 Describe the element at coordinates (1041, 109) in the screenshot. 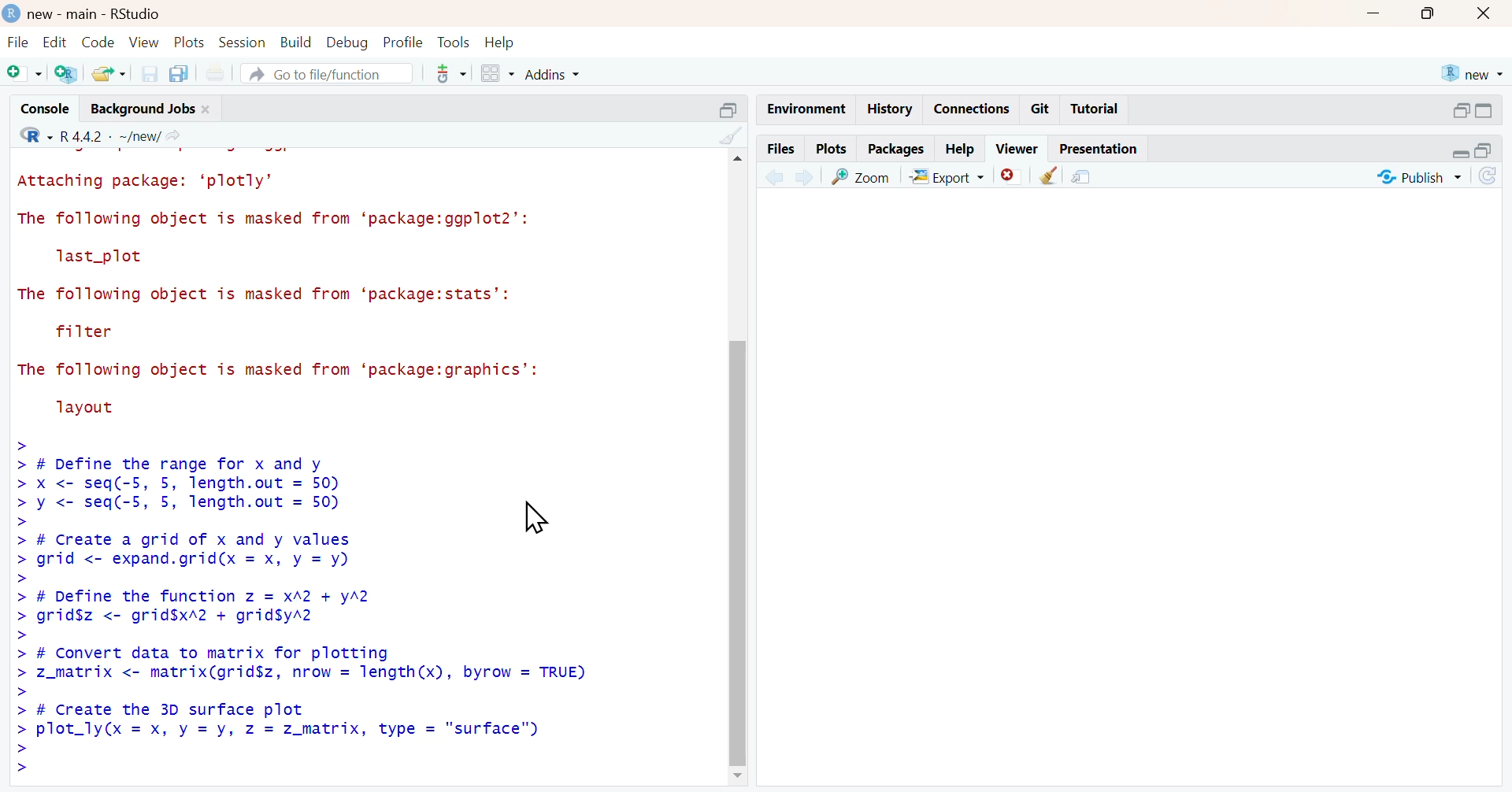

I see `git` at that location.